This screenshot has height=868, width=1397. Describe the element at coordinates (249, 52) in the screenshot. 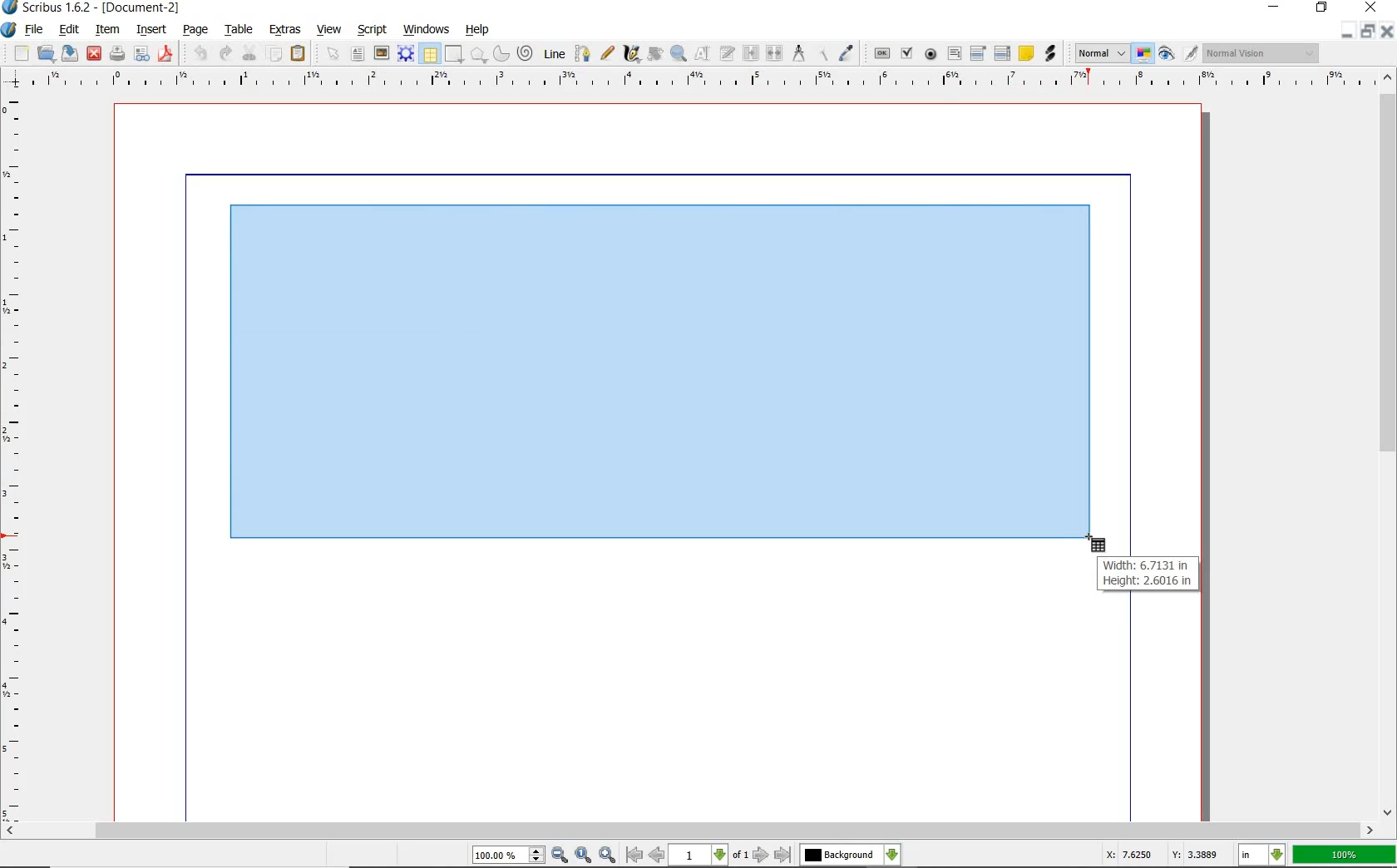

I see `cut` at that location.